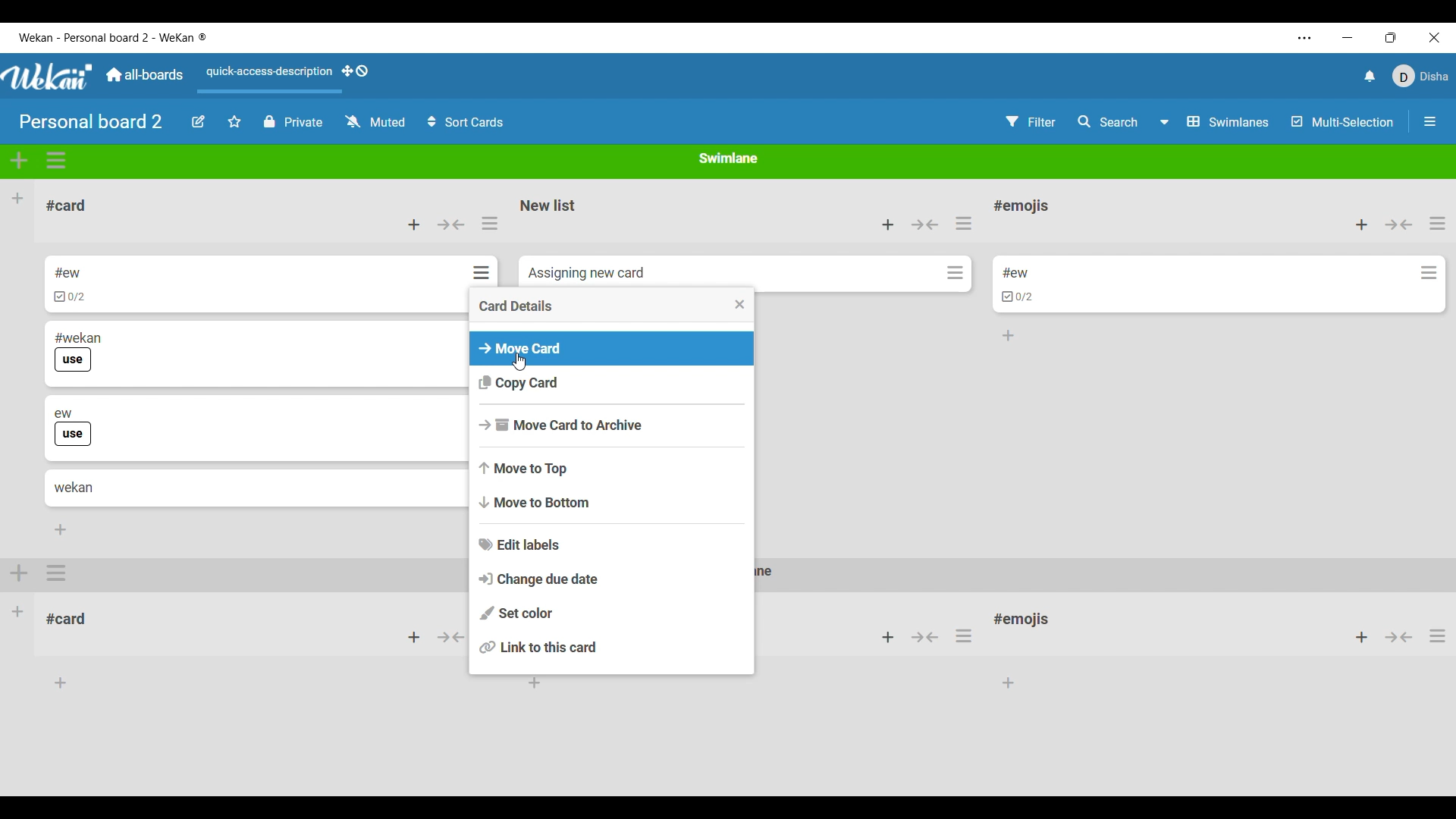  I want to click on Card title and checklist, so click(69, 284).